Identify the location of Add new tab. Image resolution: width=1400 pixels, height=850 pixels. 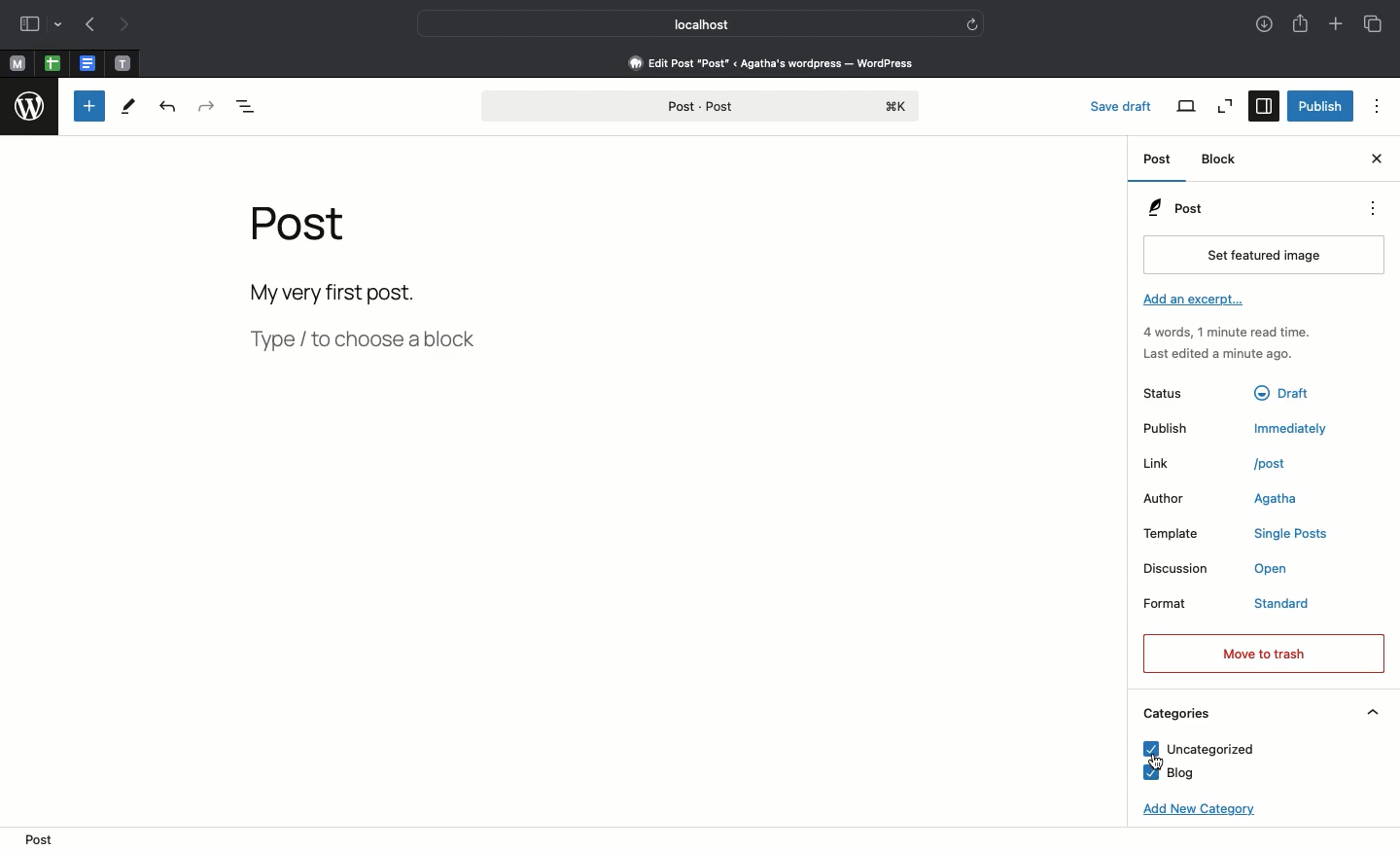
(1335, 25).